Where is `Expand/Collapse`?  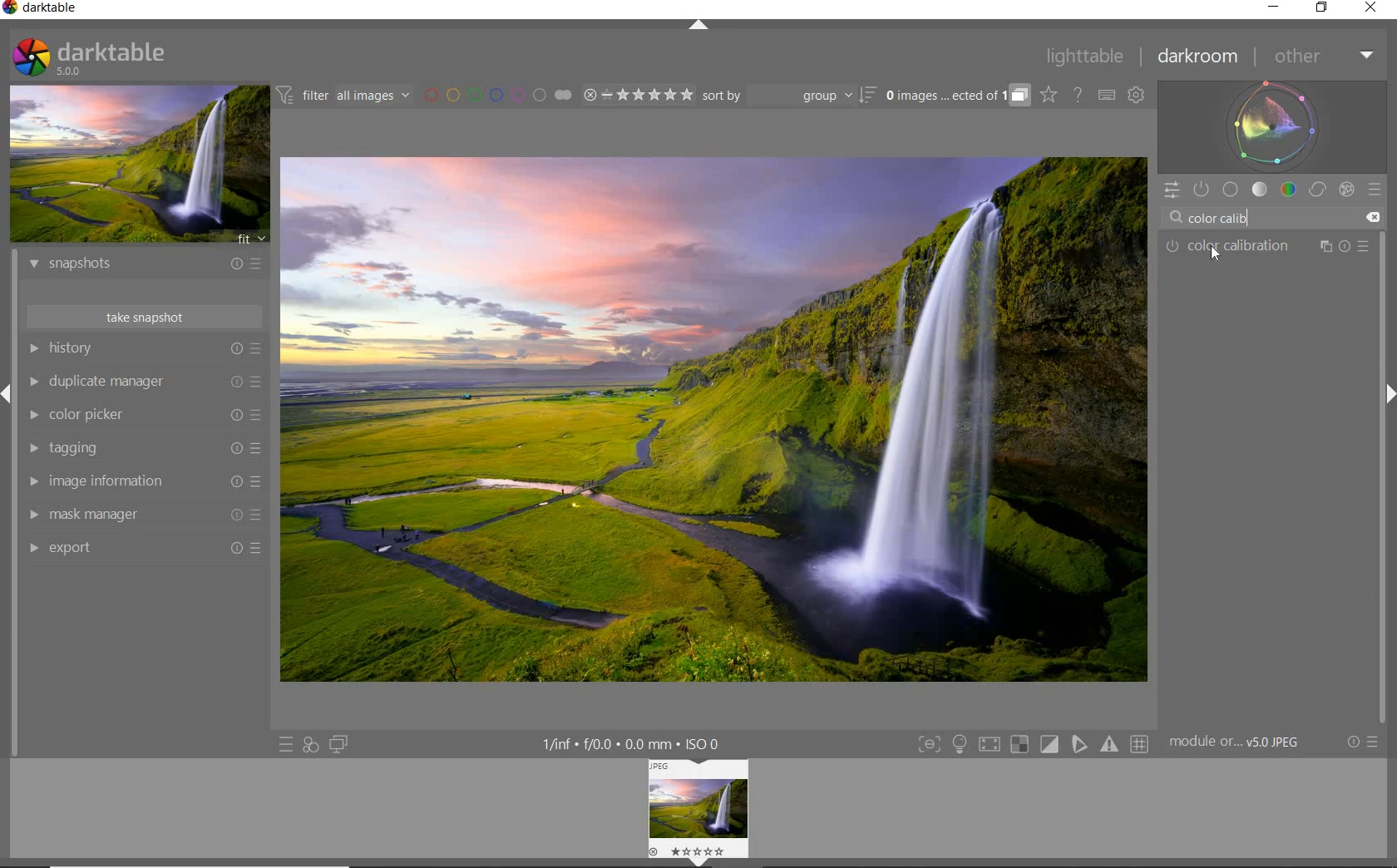
Expand/Collapse is located at coordinates (1389, 394).